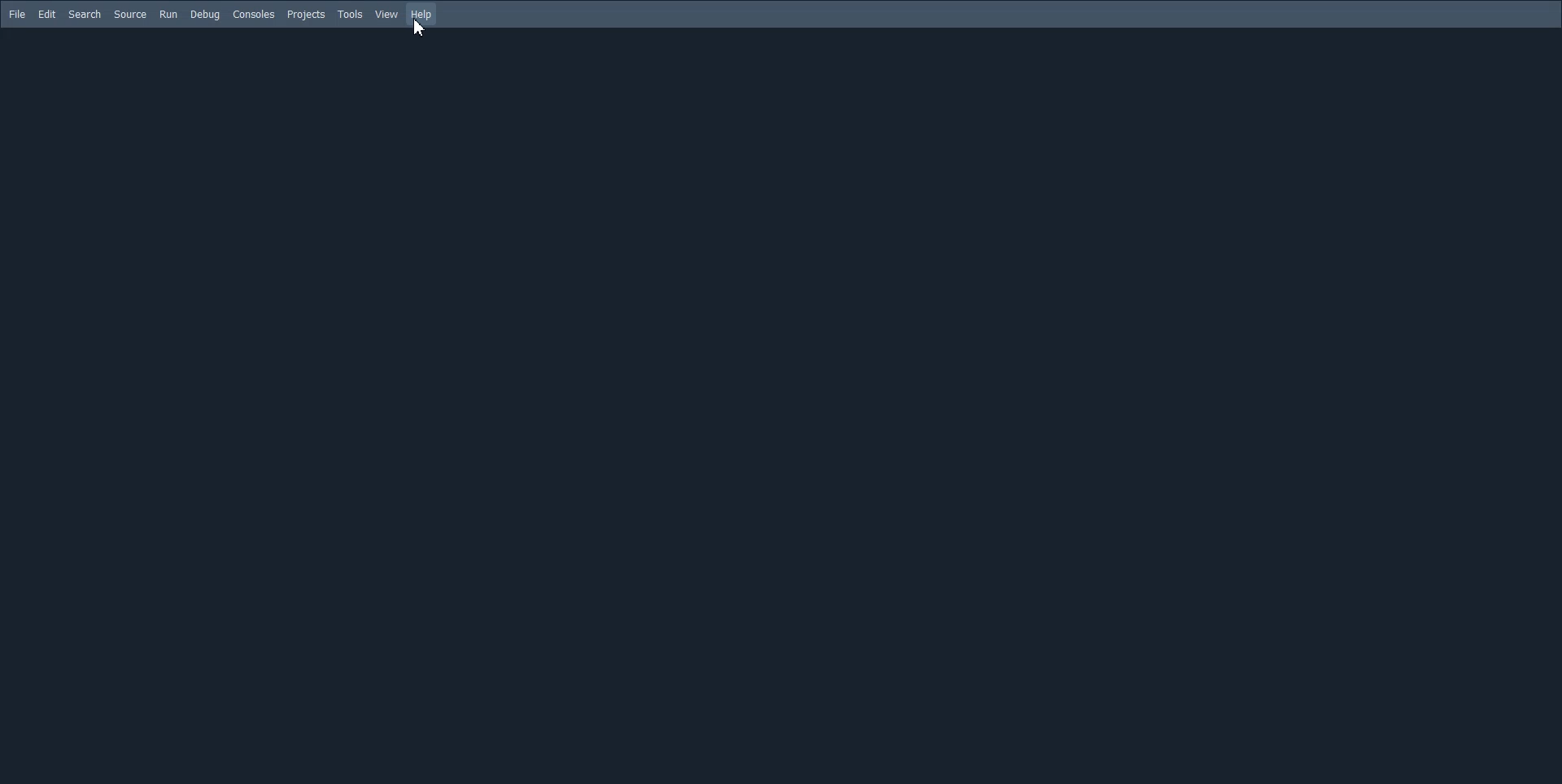 The height and width of the screenshot is (784, 1562). I want to click on Projects, so click(306, 15).